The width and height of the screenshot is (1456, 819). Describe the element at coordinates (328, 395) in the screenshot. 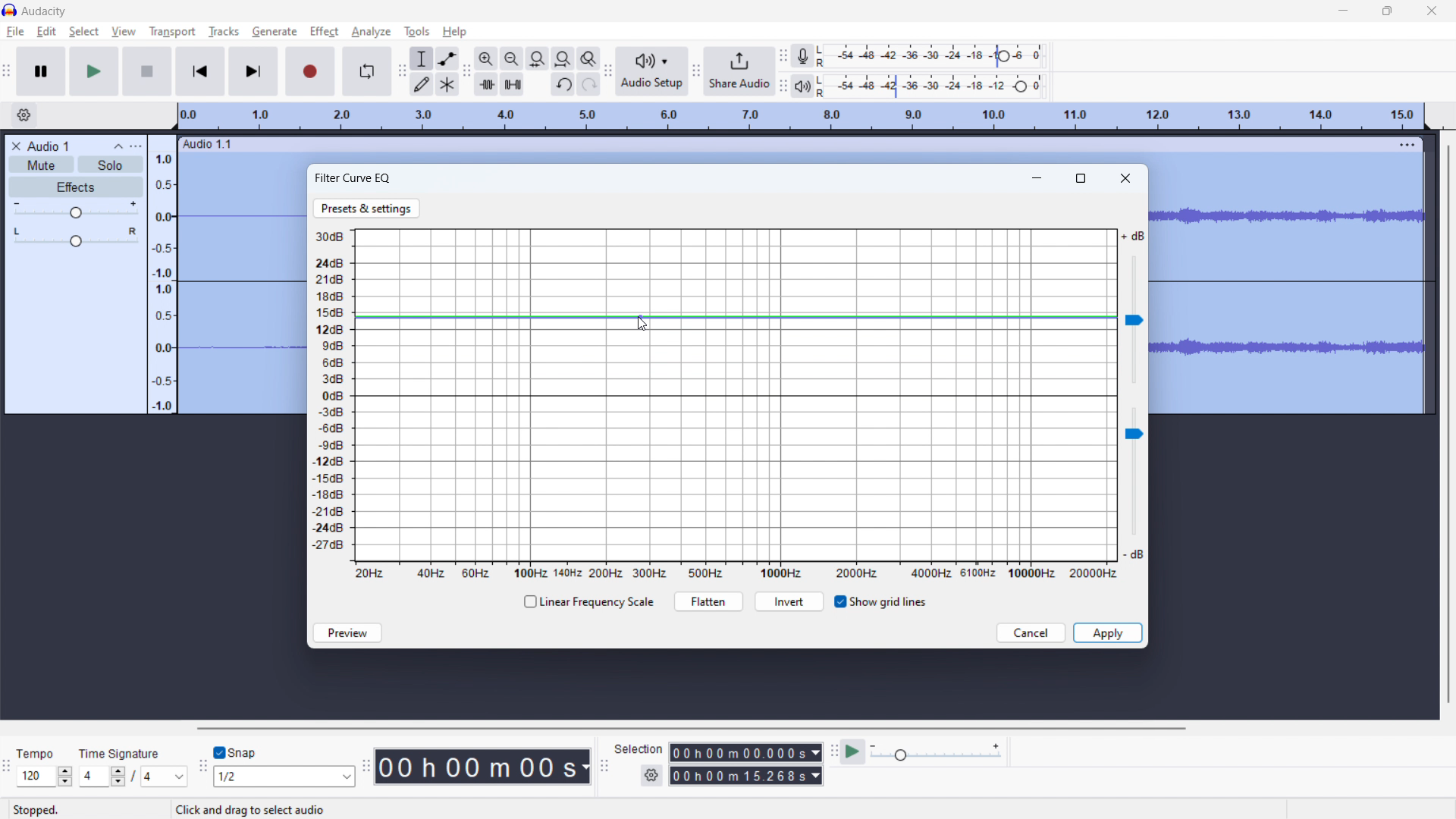

I see `volume scale` at that location.